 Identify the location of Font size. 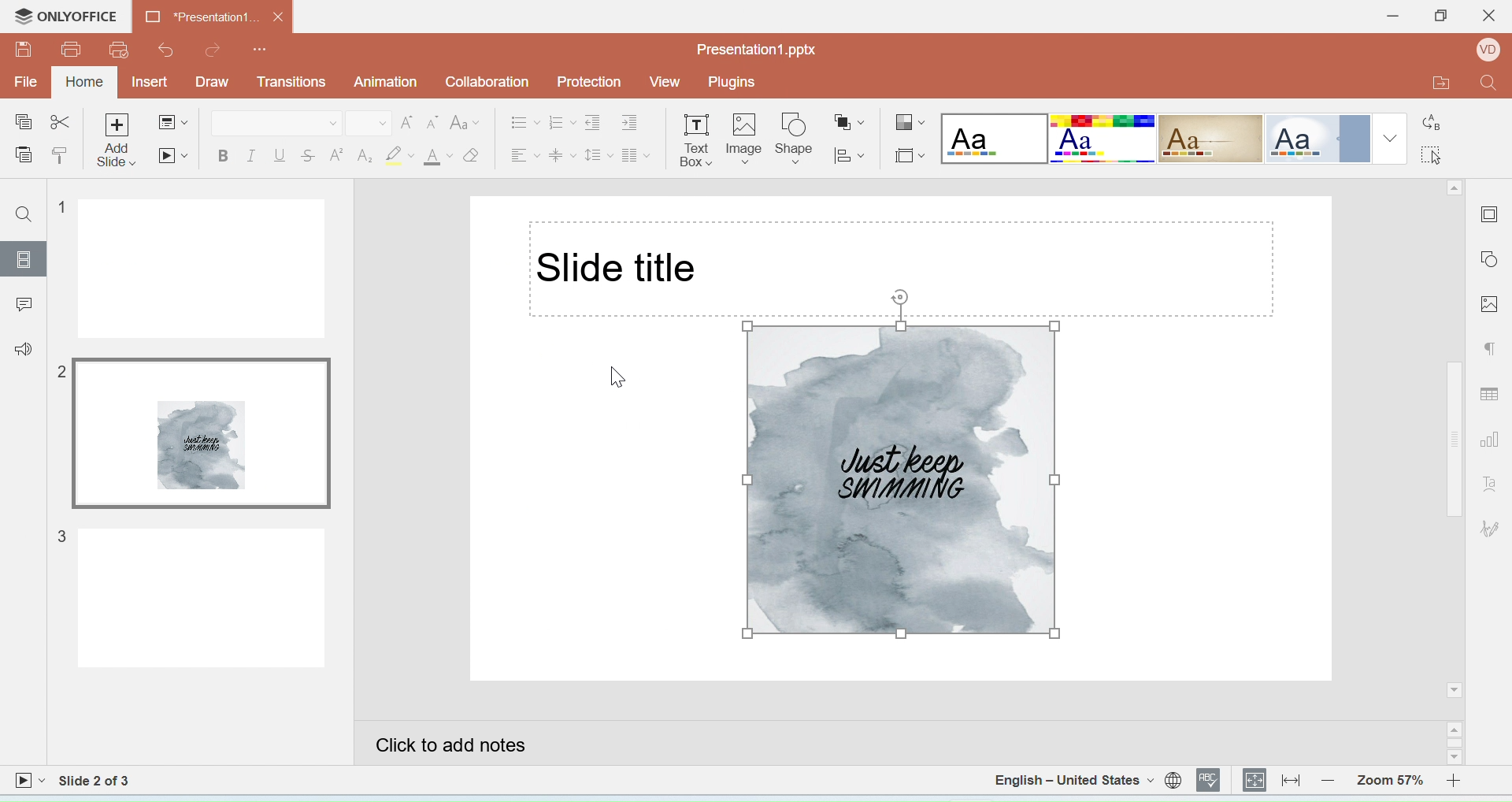
(369, 124).